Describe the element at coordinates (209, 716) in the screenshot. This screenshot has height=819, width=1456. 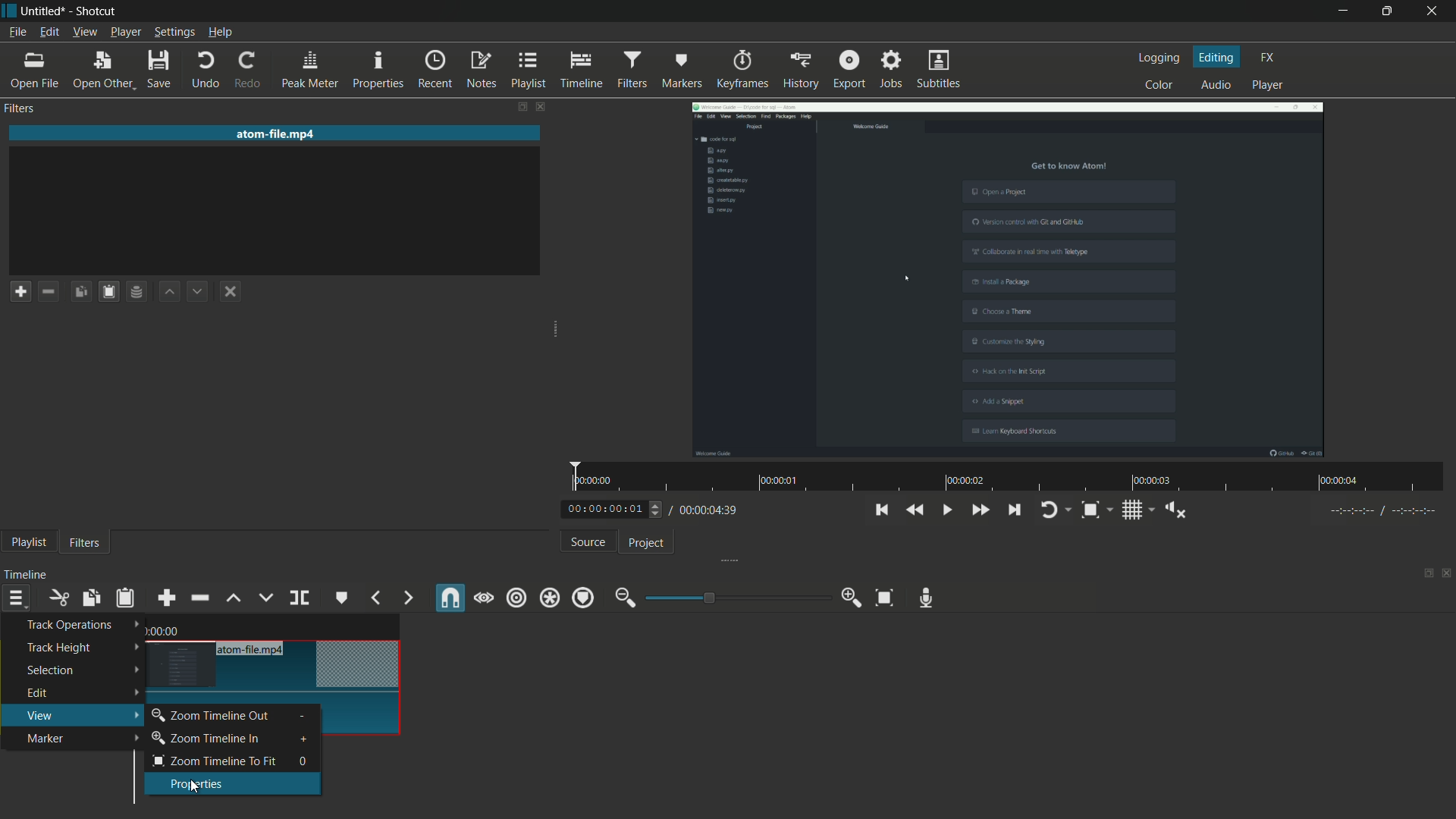
I see `zoom timeline out` at that location.